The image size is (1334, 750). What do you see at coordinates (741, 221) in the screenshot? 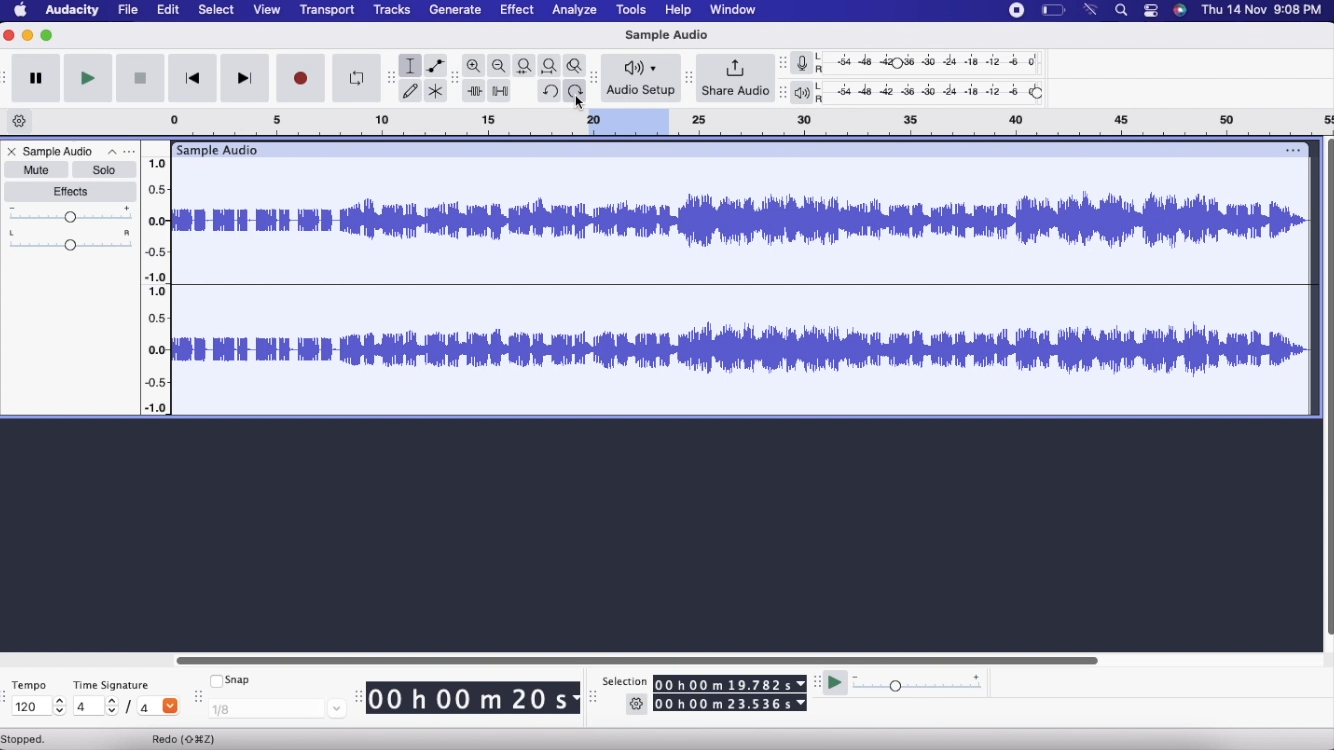
I see `Audio track` at bounding box center [741, 221].